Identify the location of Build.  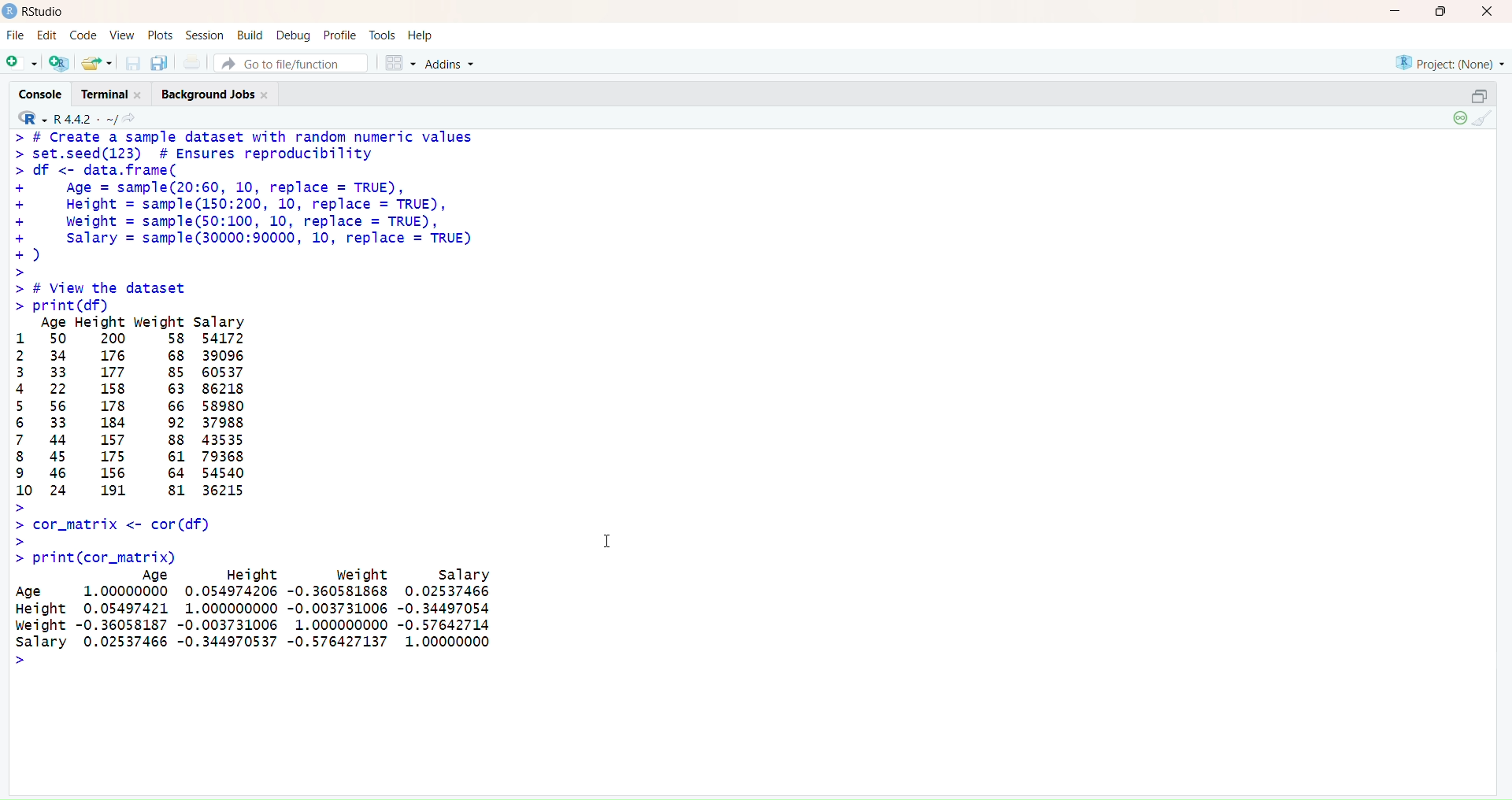
(250, 34).